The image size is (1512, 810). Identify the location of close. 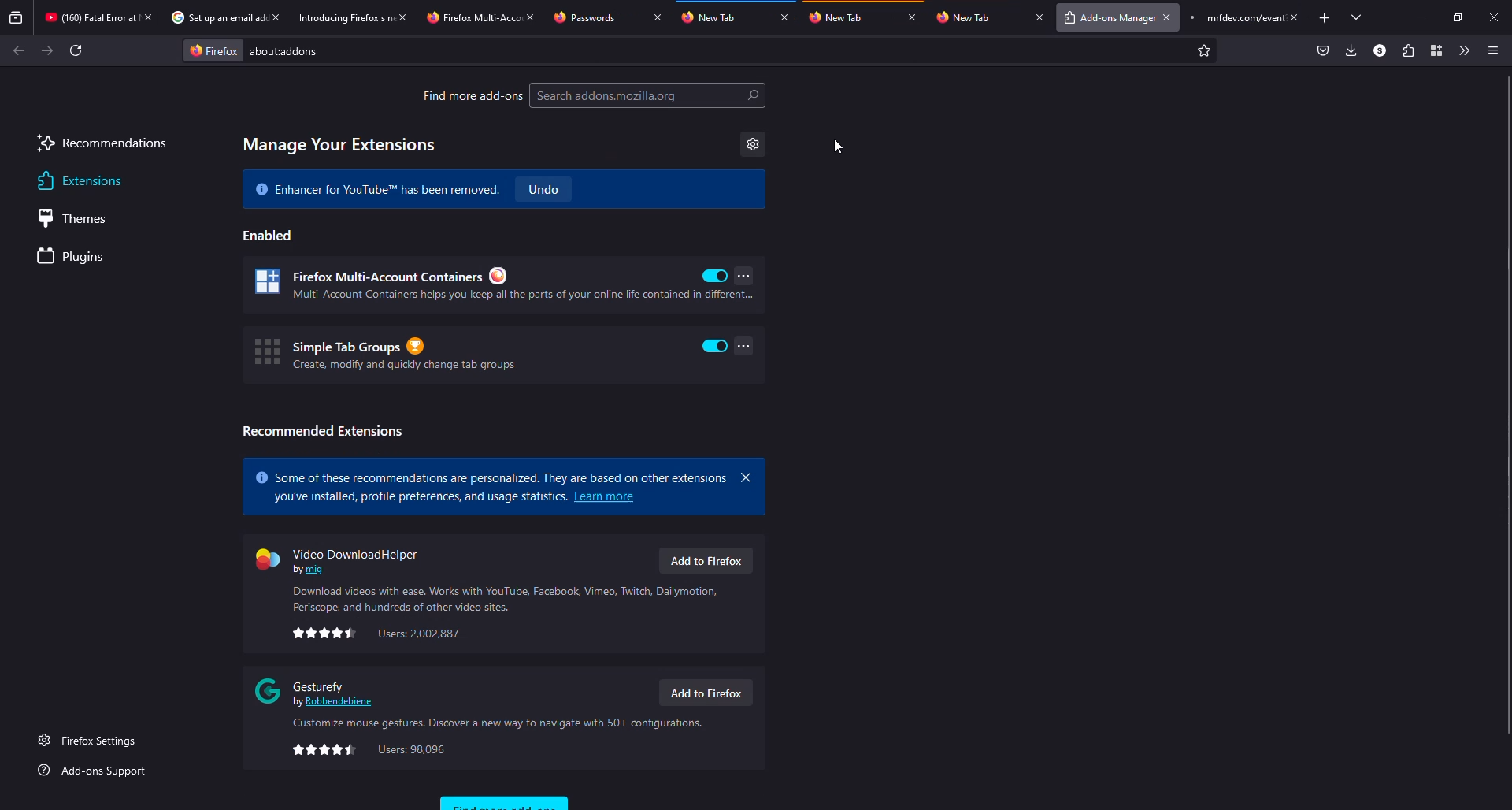
(658, 17).